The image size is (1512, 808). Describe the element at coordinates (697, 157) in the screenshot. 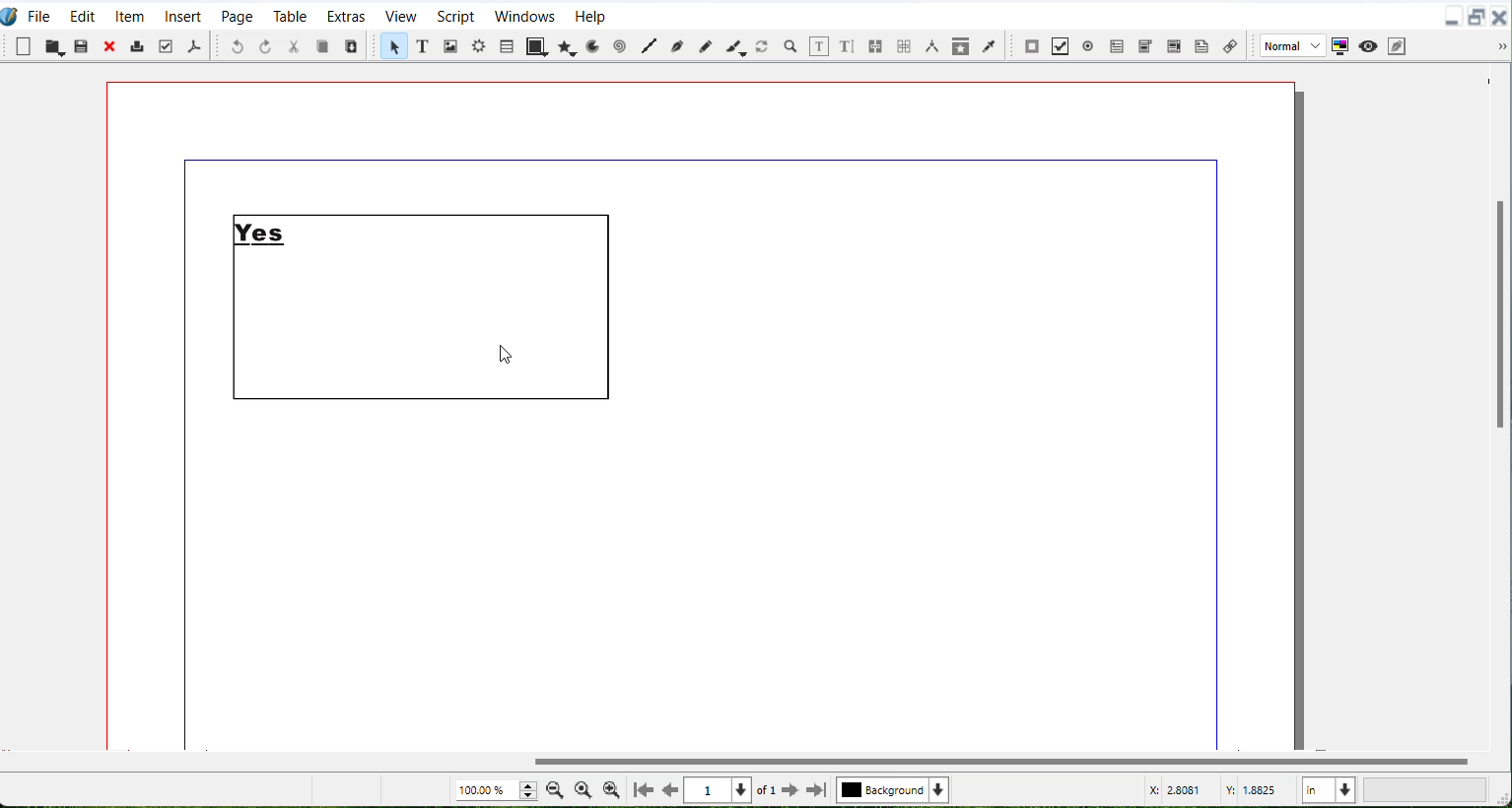

I see `top margin` at that location.